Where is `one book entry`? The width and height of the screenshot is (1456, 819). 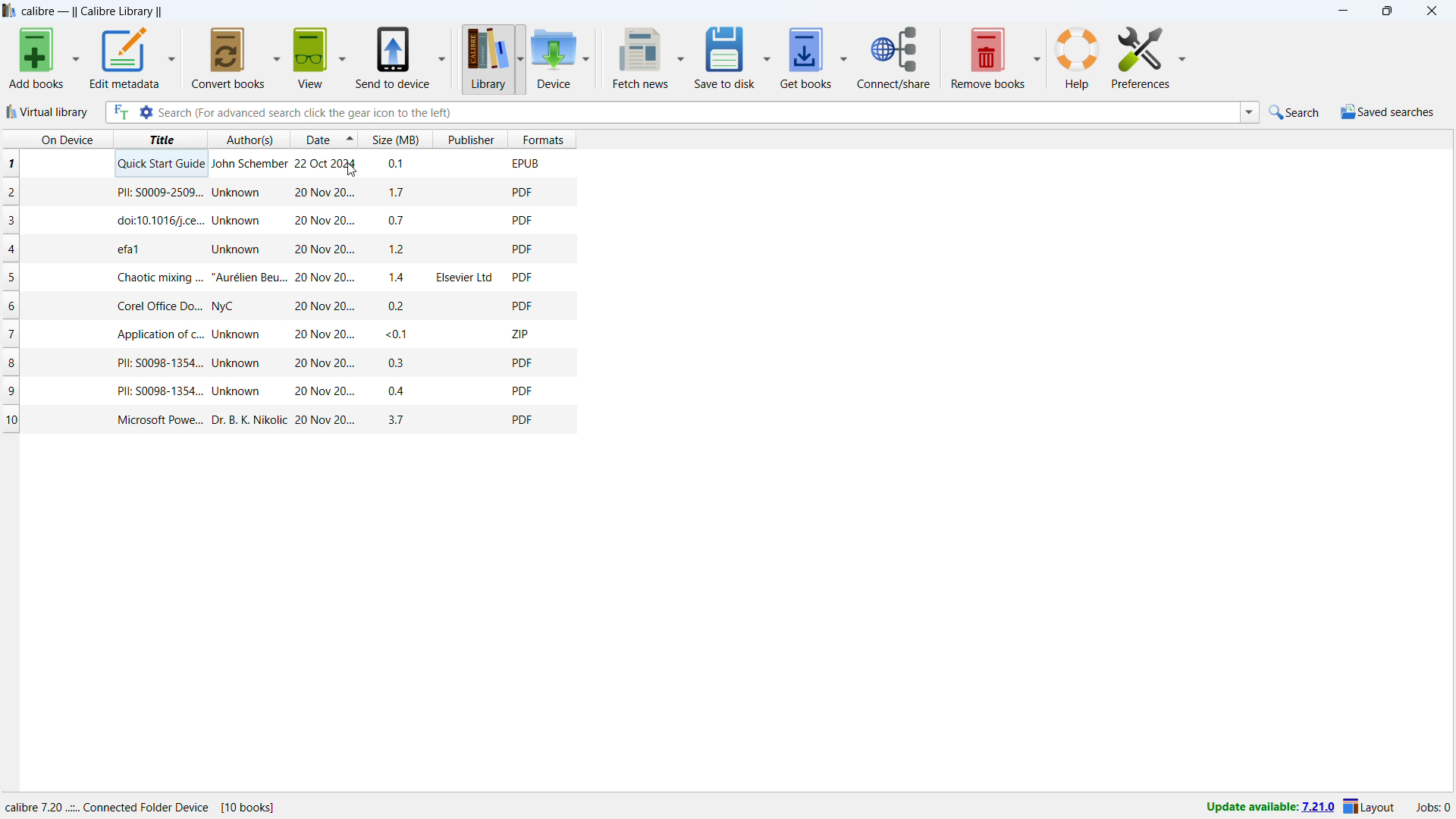 one book entry is located at coordinates (283, 249).